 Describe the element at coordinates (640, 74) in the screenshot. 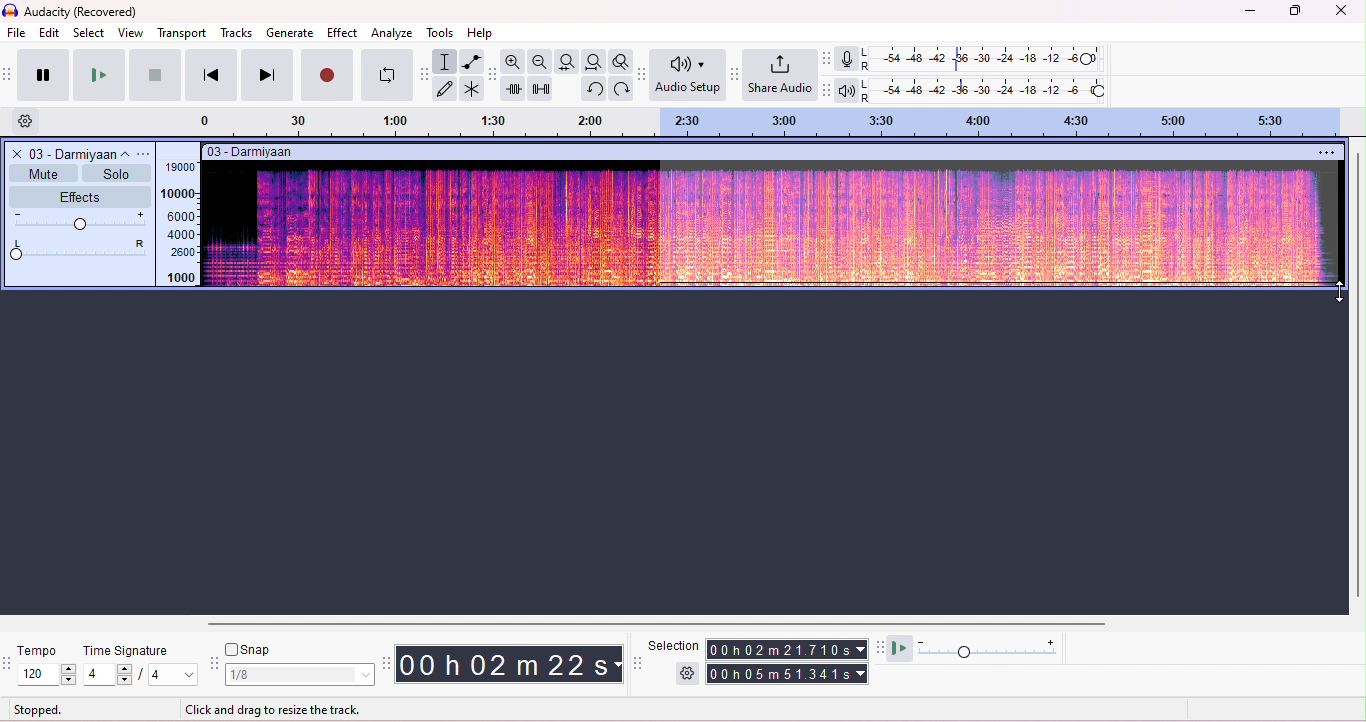

I see `audio setup tool bar` at that location.